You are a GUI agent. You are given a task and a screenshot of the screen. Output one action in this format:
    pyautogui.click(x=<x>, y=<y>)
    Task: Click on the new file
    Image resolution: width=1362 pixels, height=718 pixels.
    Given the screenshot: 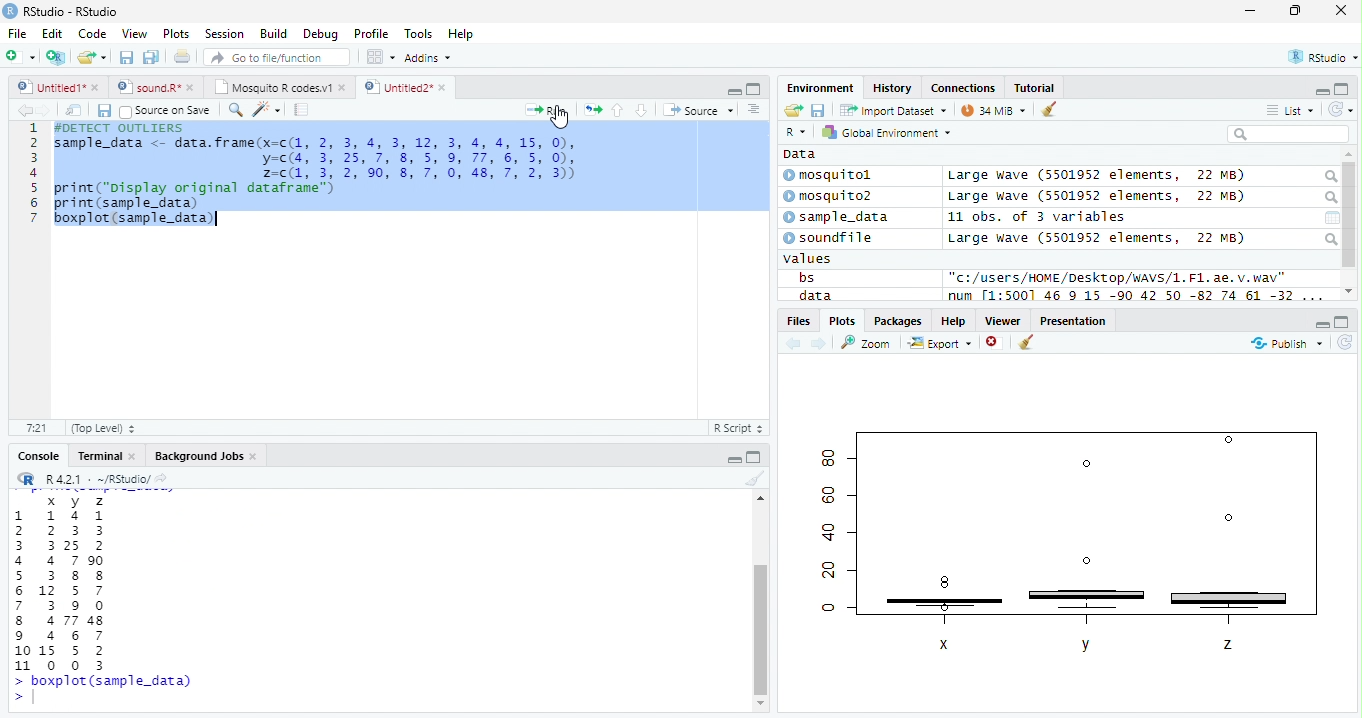 What is the action you would take?
    pyautogui.click(x=21, y=57)
    